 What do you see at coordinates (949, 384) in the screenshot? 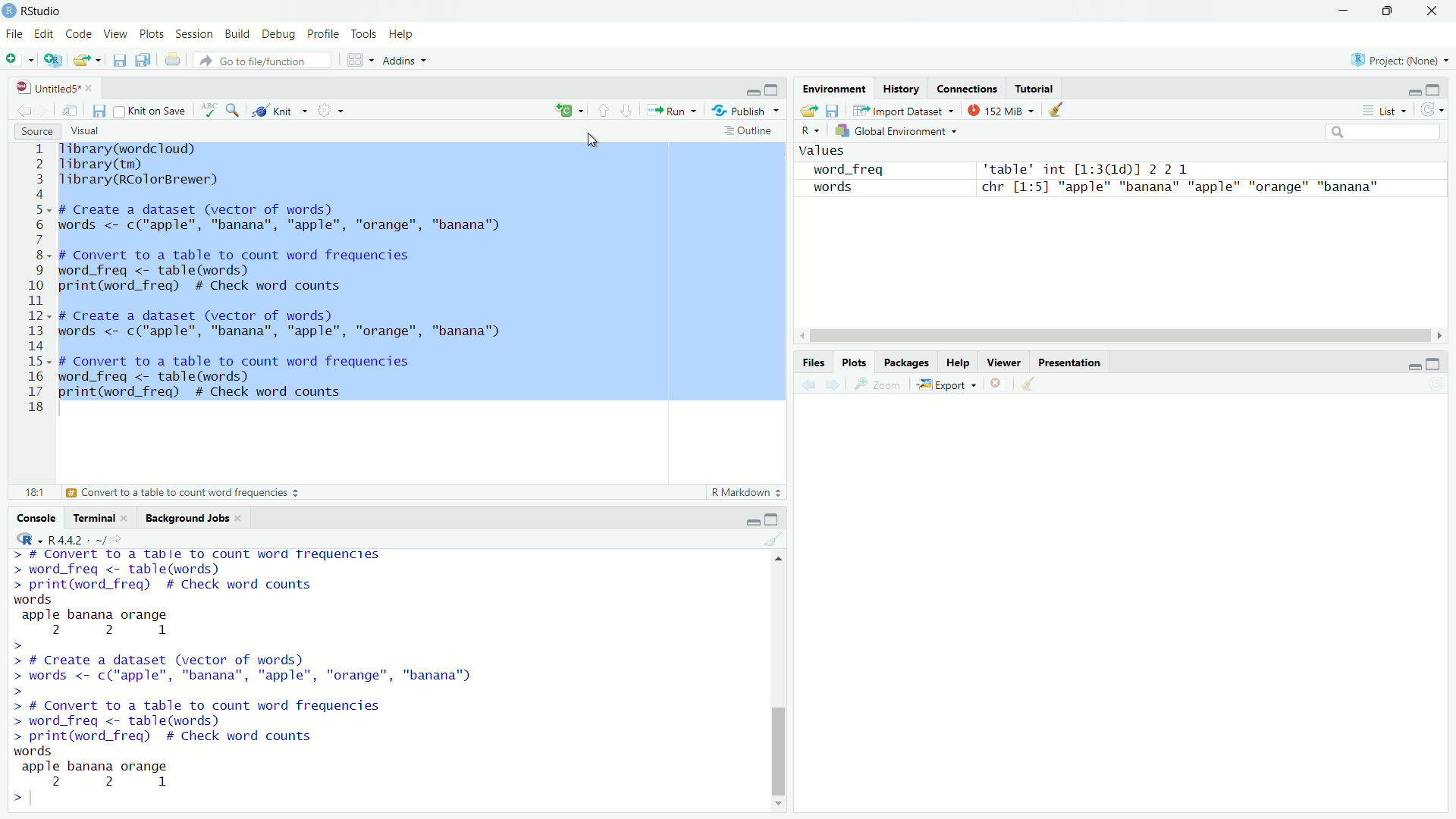
I see `Export` at bounding box center [949, 384].